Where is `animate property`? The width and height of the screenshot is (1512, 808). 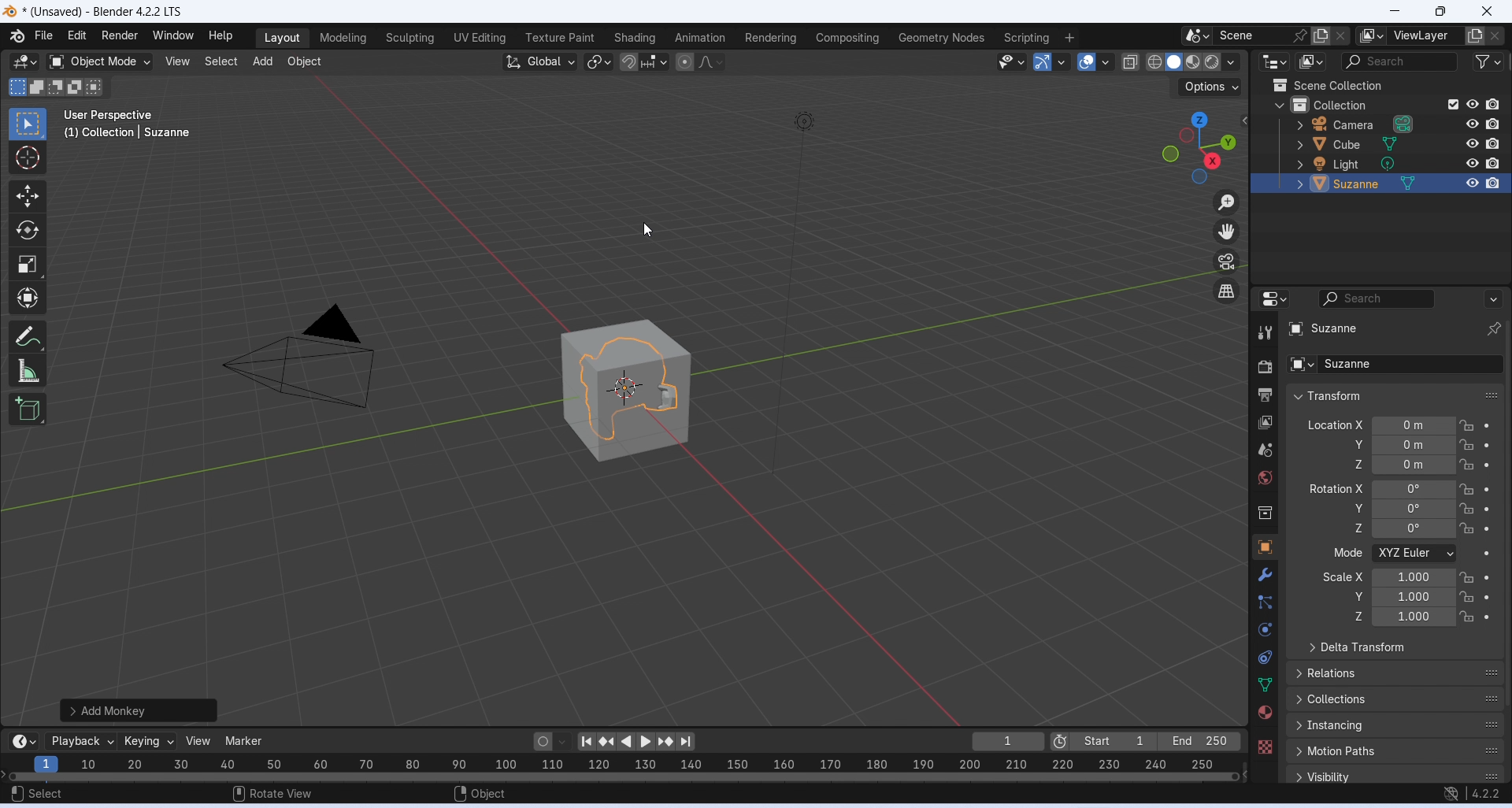 animate property is located at coordinates (1488, 597).